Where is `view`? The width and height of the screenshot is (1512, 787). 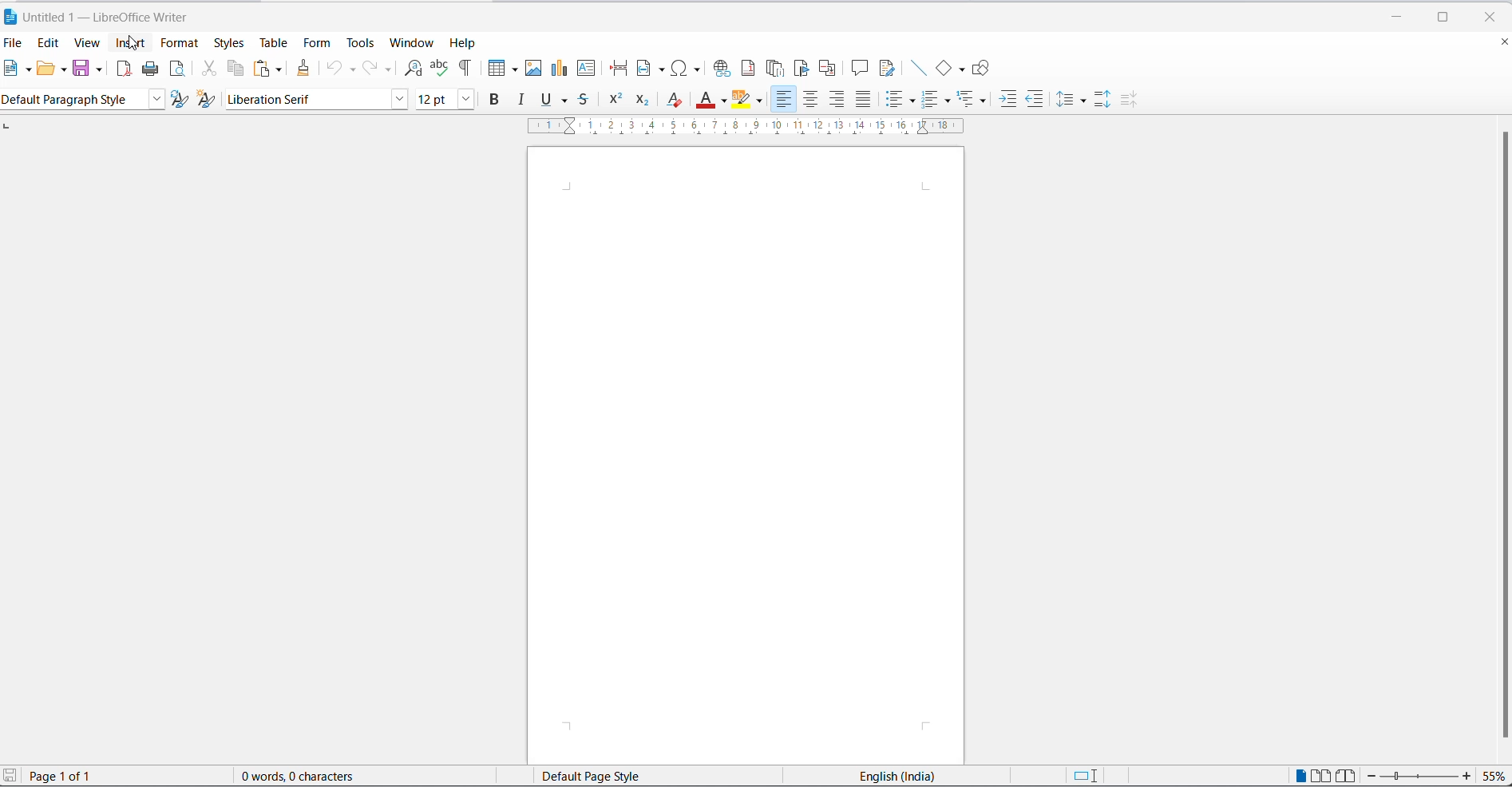 view is located at coordinates (89, 43).